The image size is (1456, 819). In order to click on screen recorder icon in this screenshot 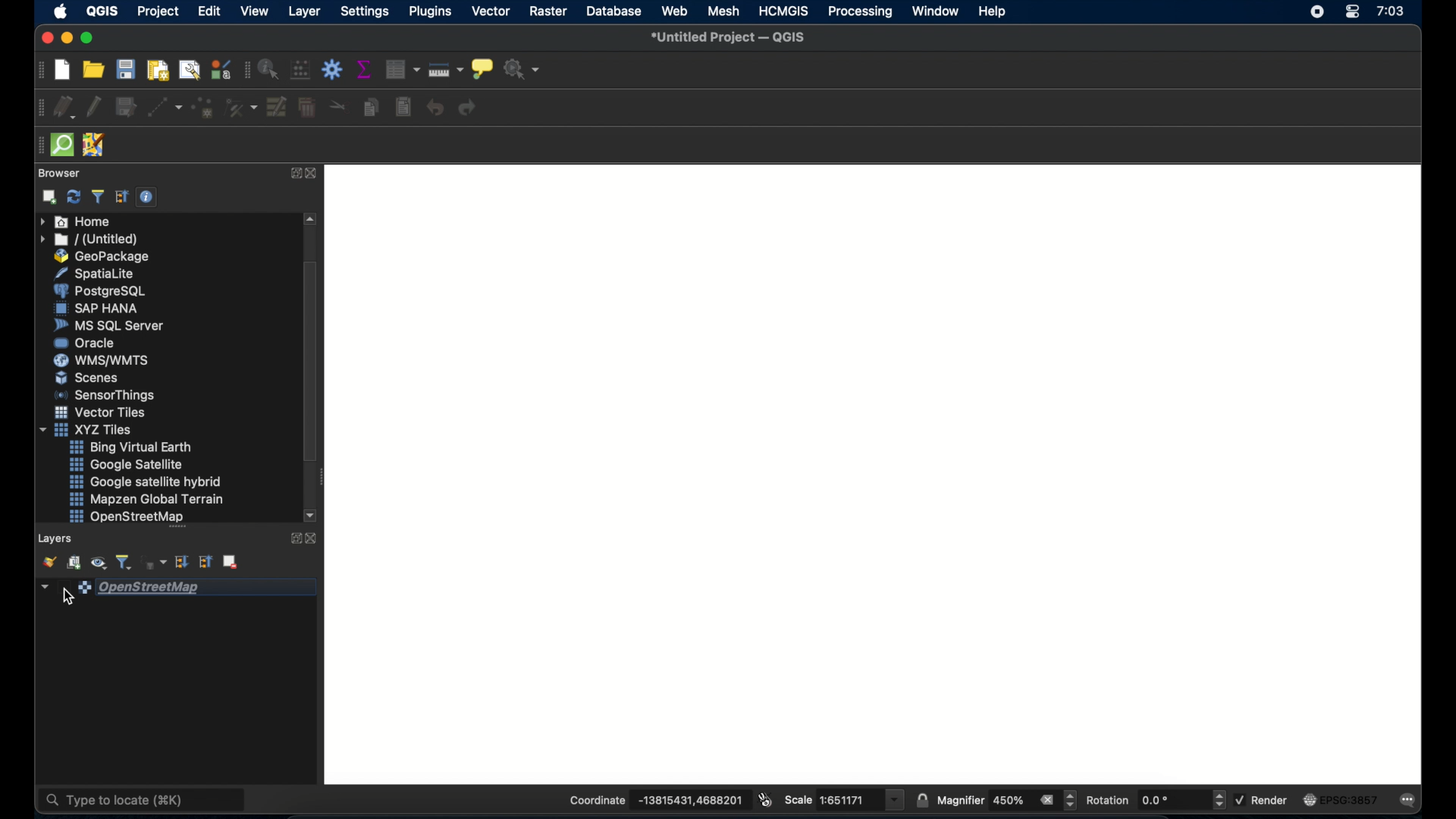, I will do `click(1315, 13)`.